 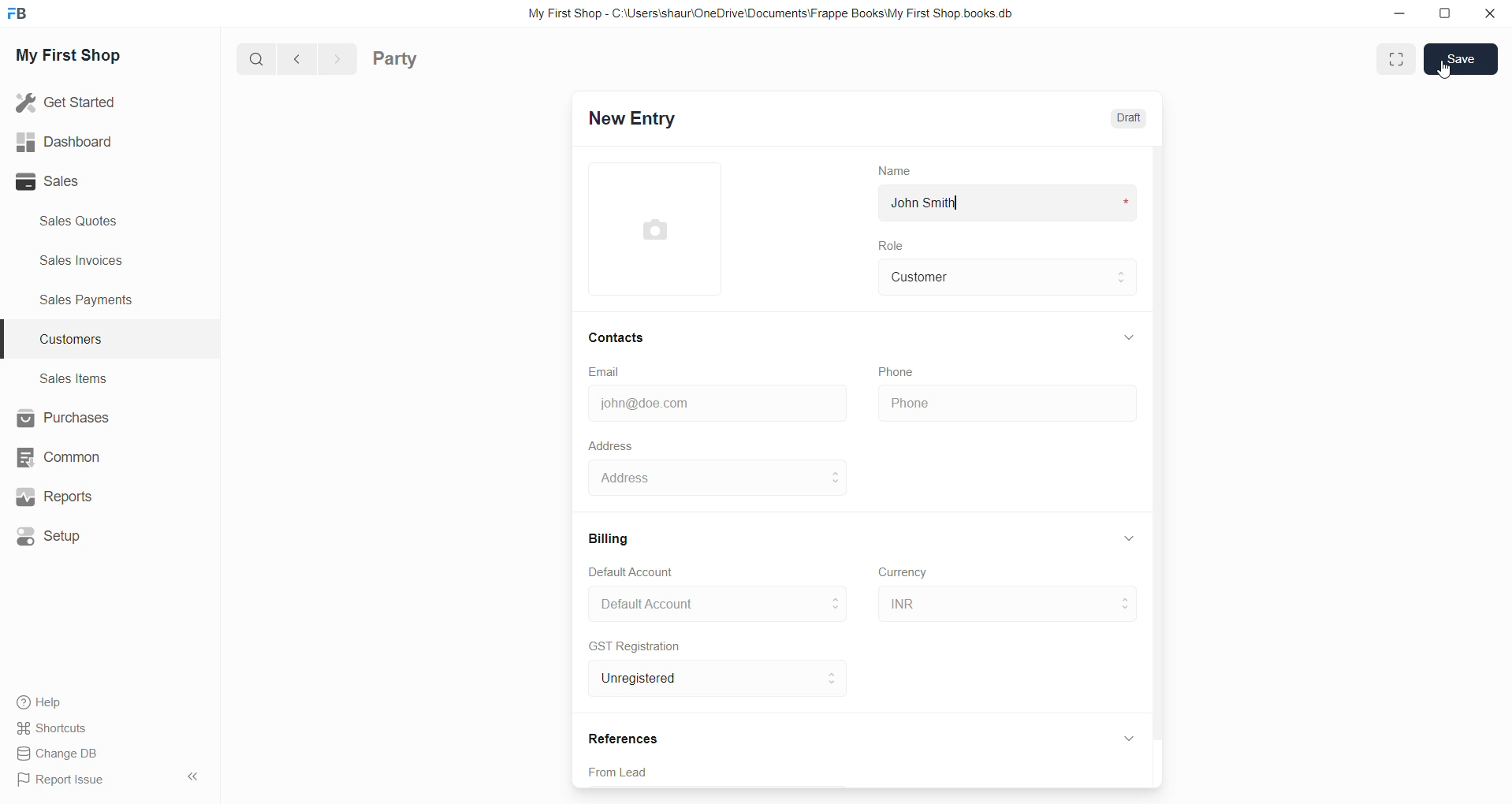 I want to click on cursor, so click(x=1443, y=71).